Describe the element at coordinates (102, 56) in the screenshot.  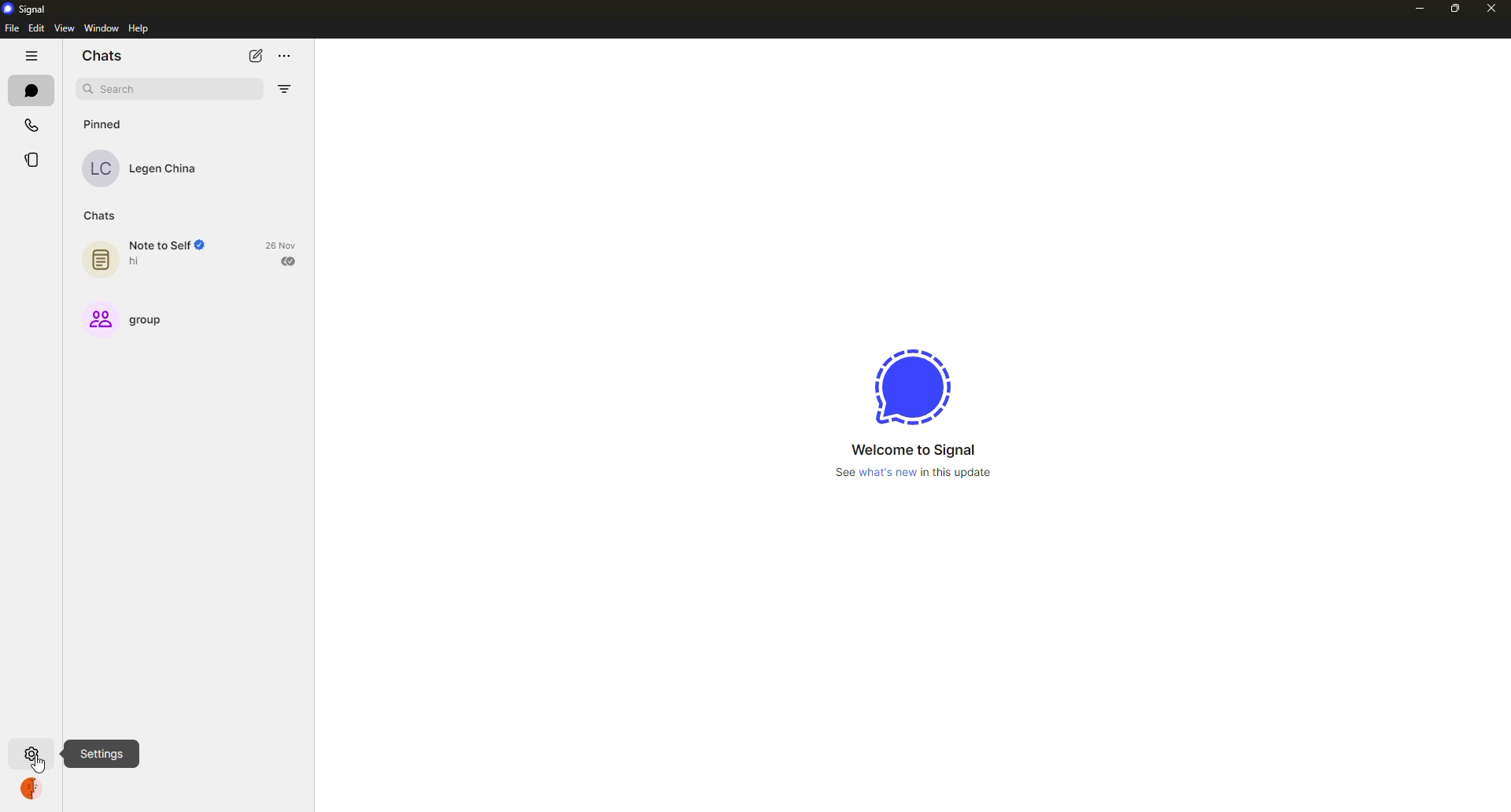
I see `chats` at that location.